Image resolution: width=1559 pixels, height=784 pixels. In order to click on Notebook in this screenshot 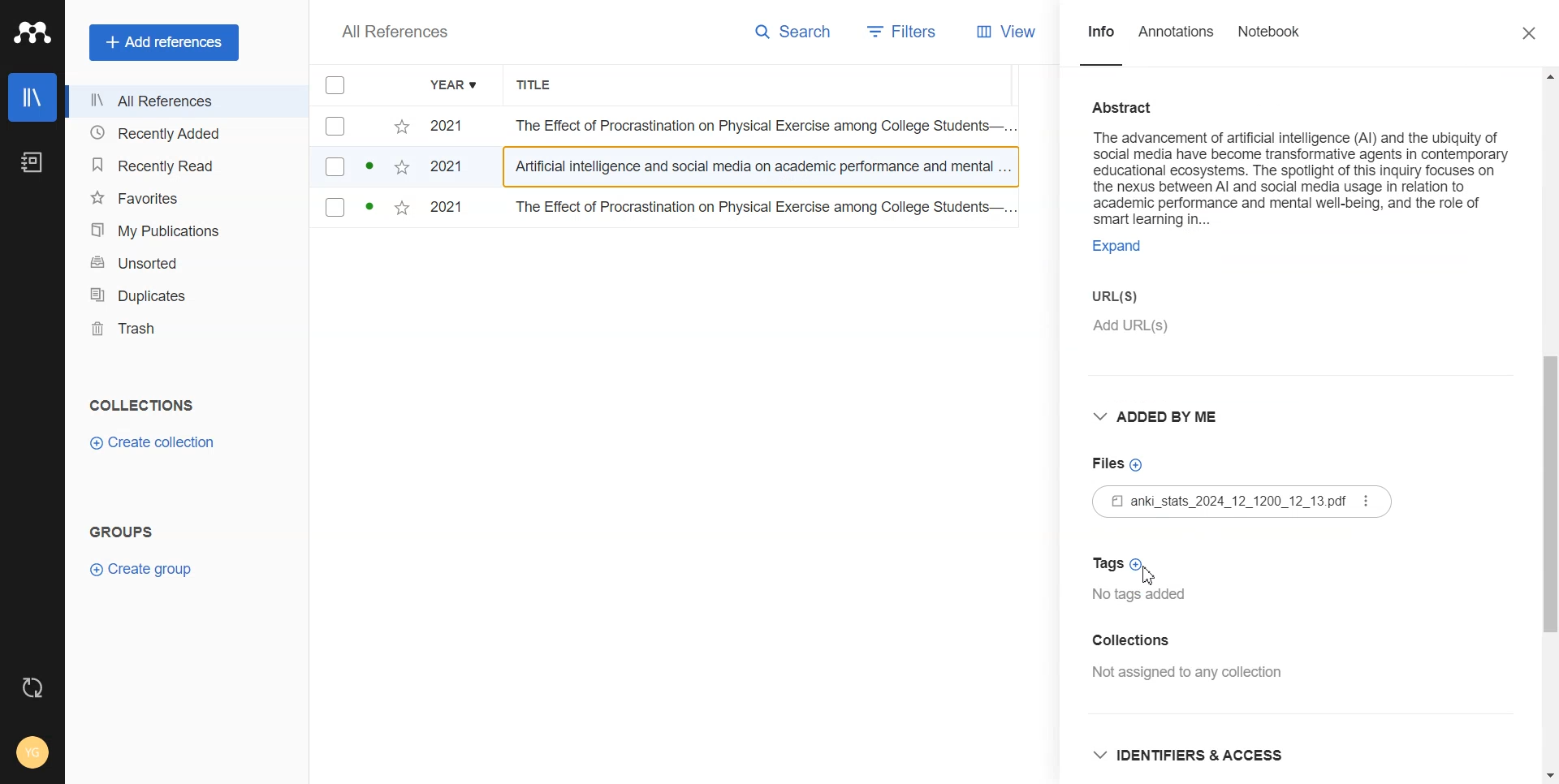, I will do `click(1271, 41)`.